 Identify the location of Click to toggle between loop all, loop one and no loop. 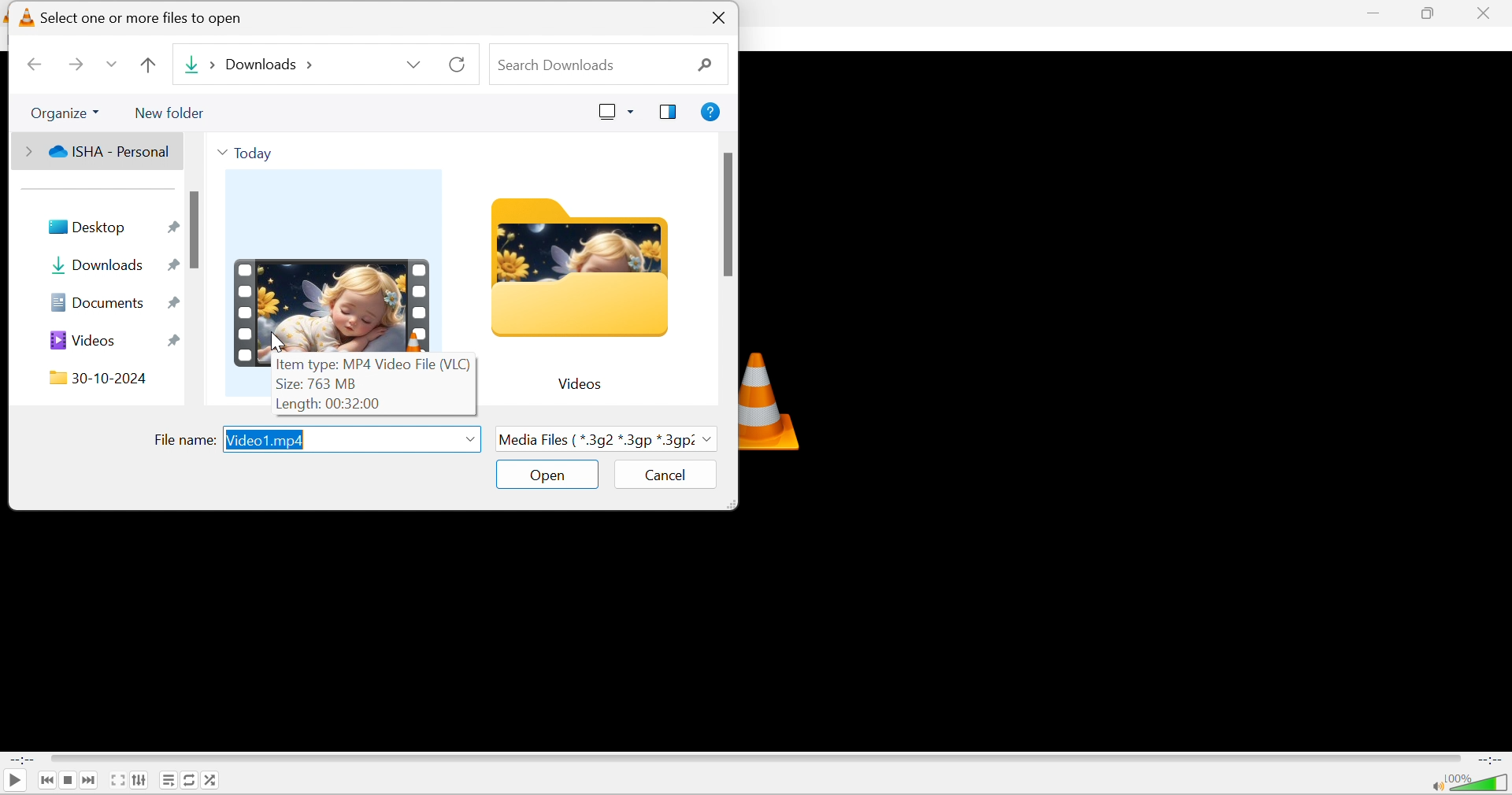
(190, 779).